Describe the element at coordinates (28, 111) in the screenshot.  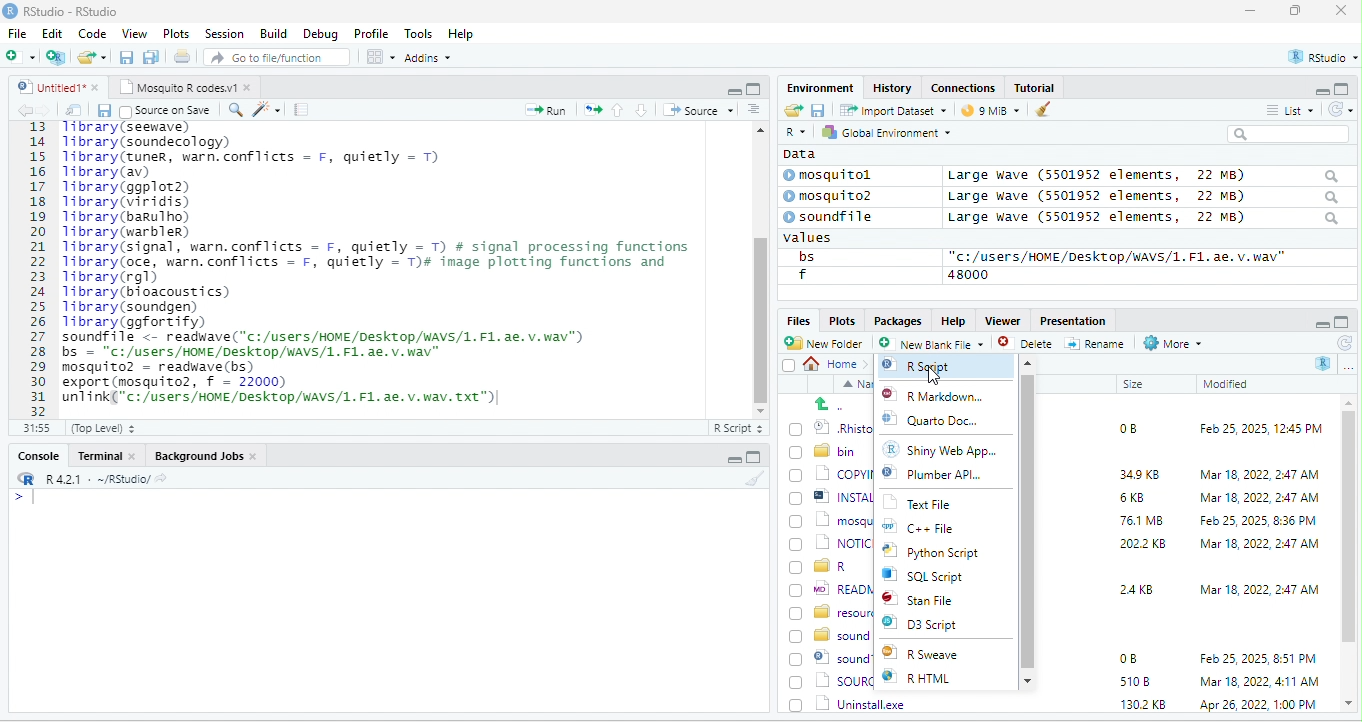
I see `back` at that location.